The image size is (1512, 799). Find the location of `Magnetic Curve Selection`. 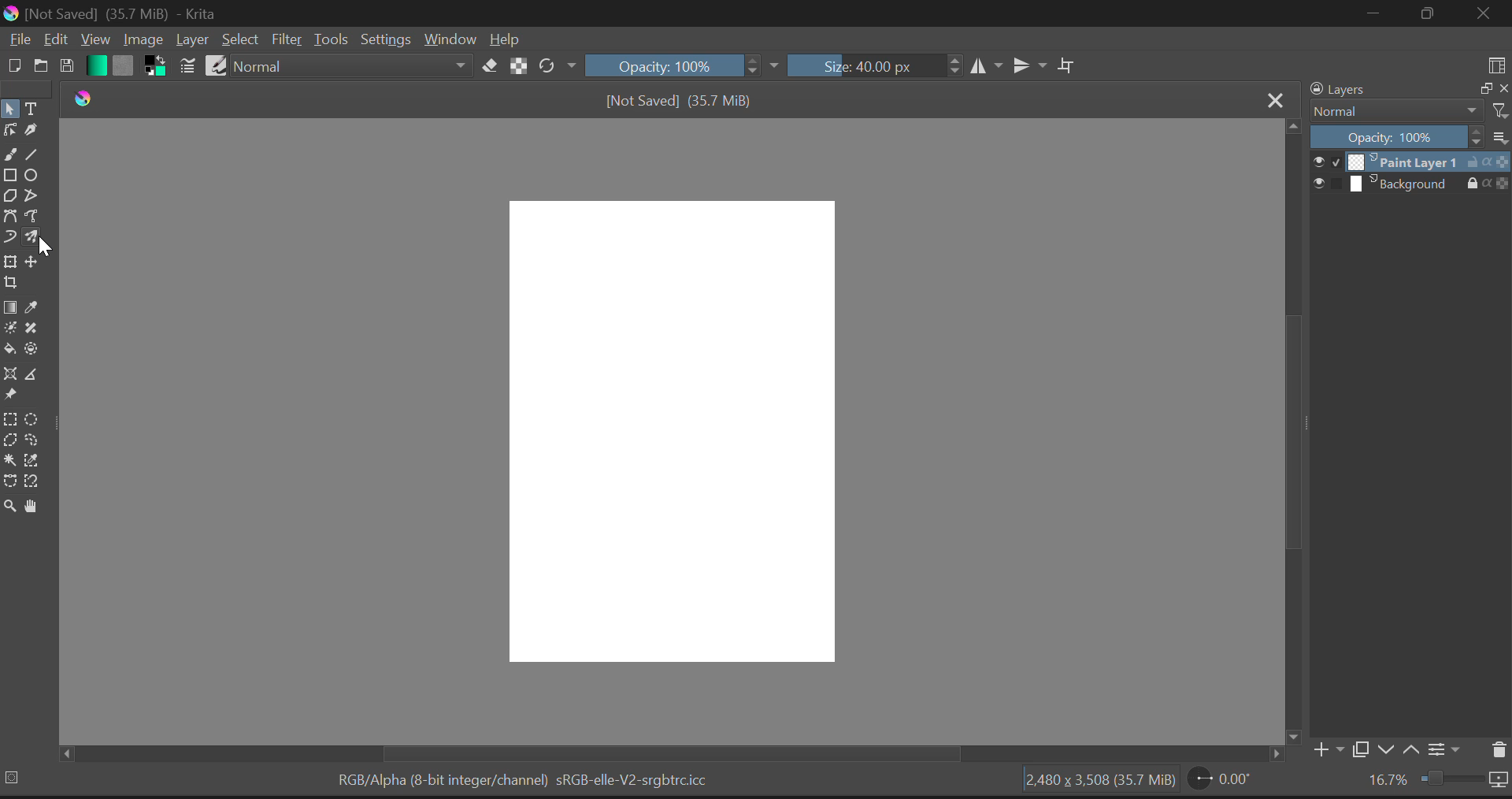

Magnetic Curve Selection is located at coordinates (32, 481).